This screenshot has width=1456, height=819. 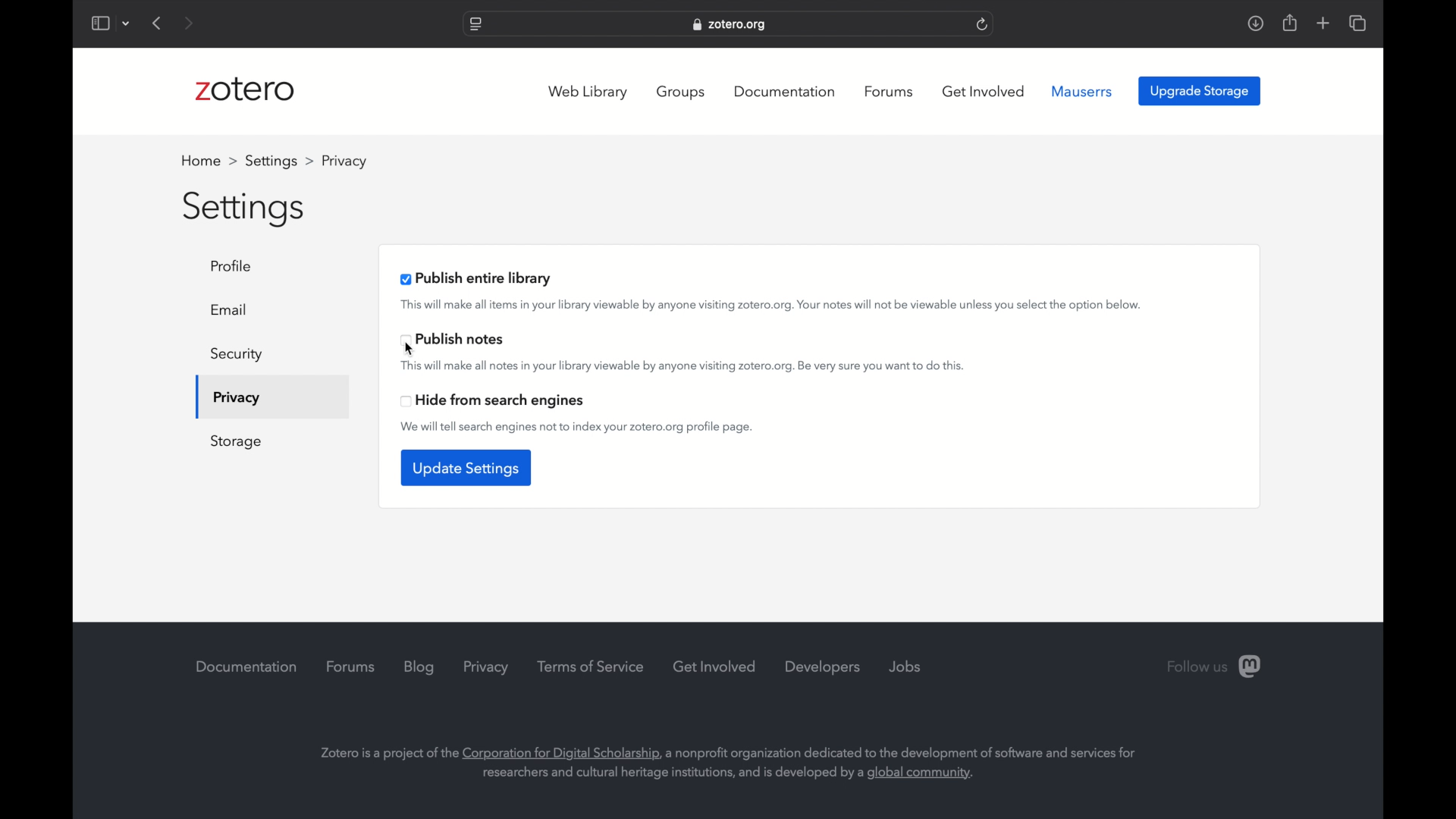 I want to click on documentation, so click(x=784, y=92).